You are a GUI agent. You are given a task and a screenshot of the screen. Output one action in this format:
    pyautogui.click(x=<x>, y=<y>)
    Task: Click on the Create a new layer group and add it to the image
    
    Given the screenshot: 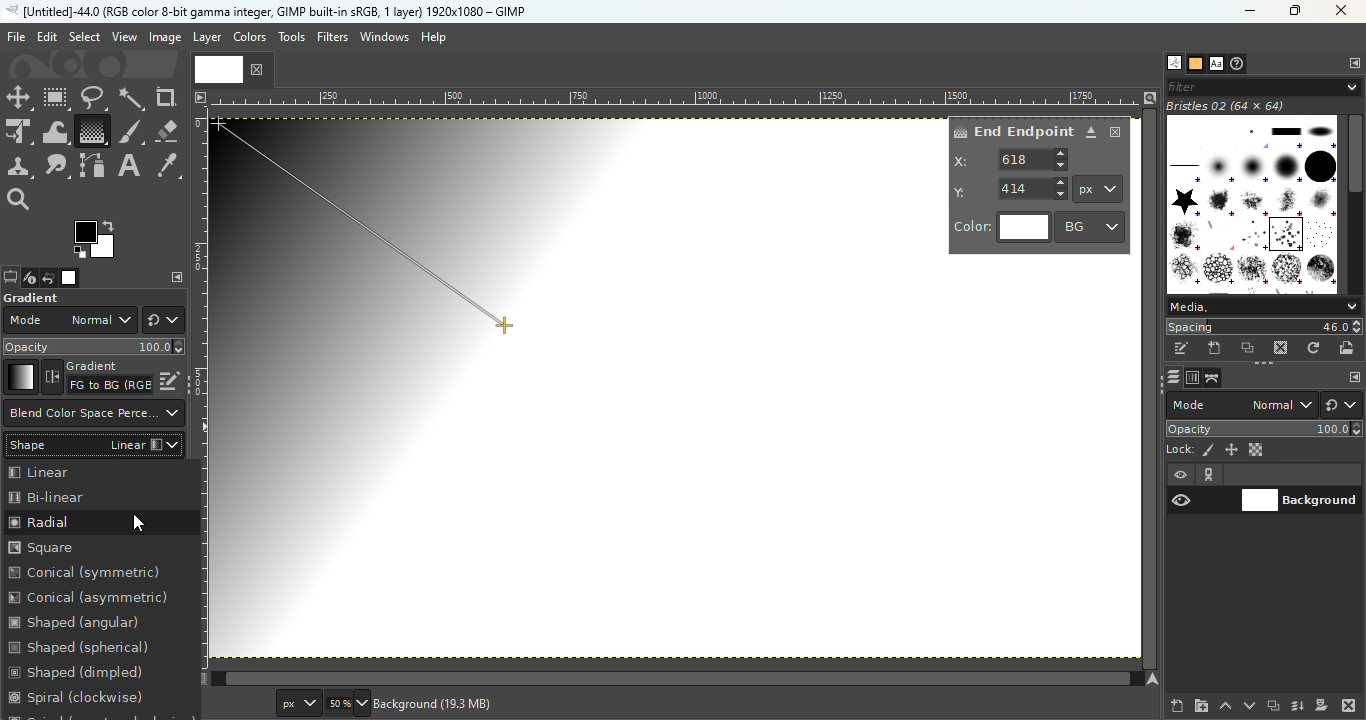 What is the action you would take?
    pyautogui.click(x=1201, y=706)
    